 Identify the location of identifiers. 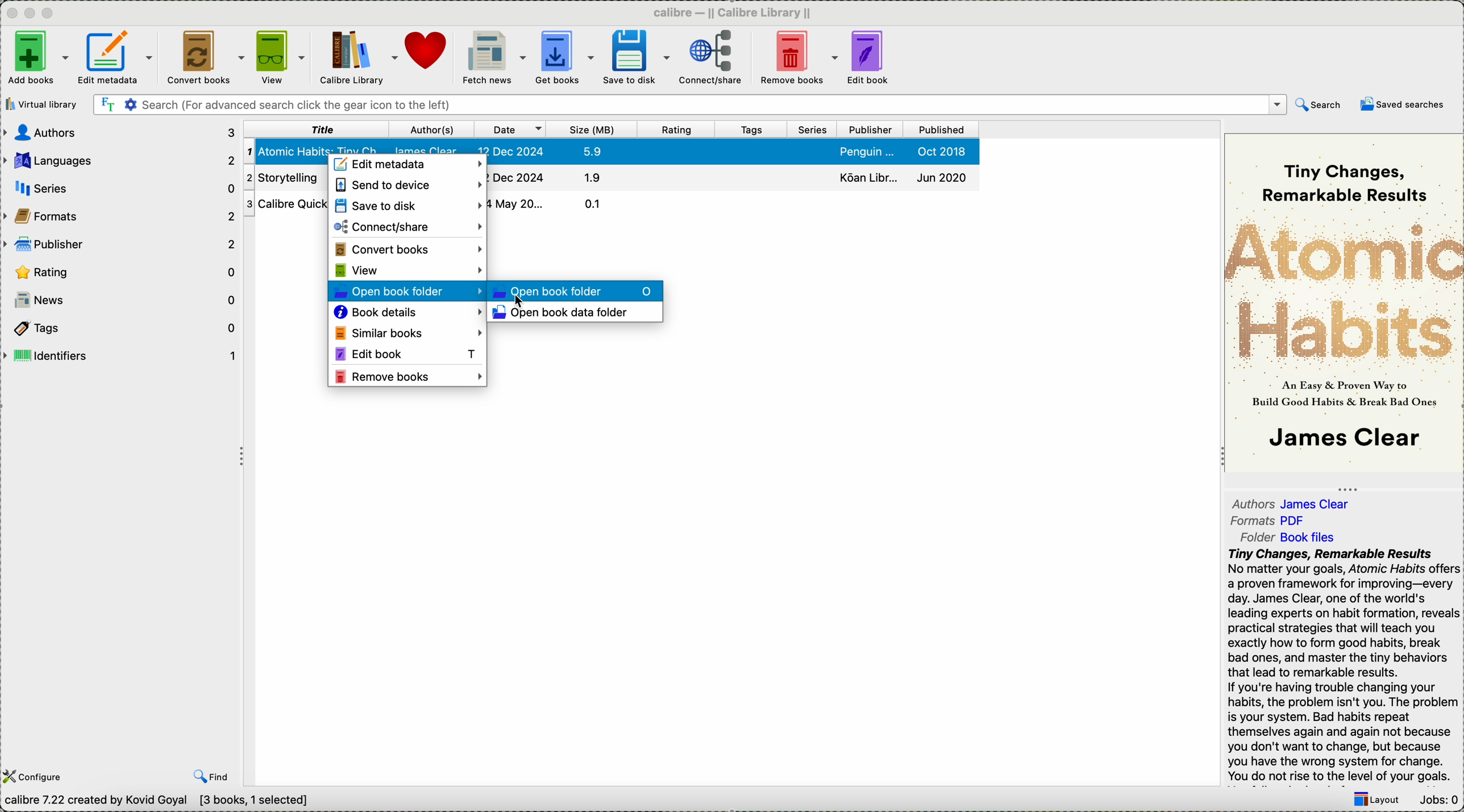
(120, 356).